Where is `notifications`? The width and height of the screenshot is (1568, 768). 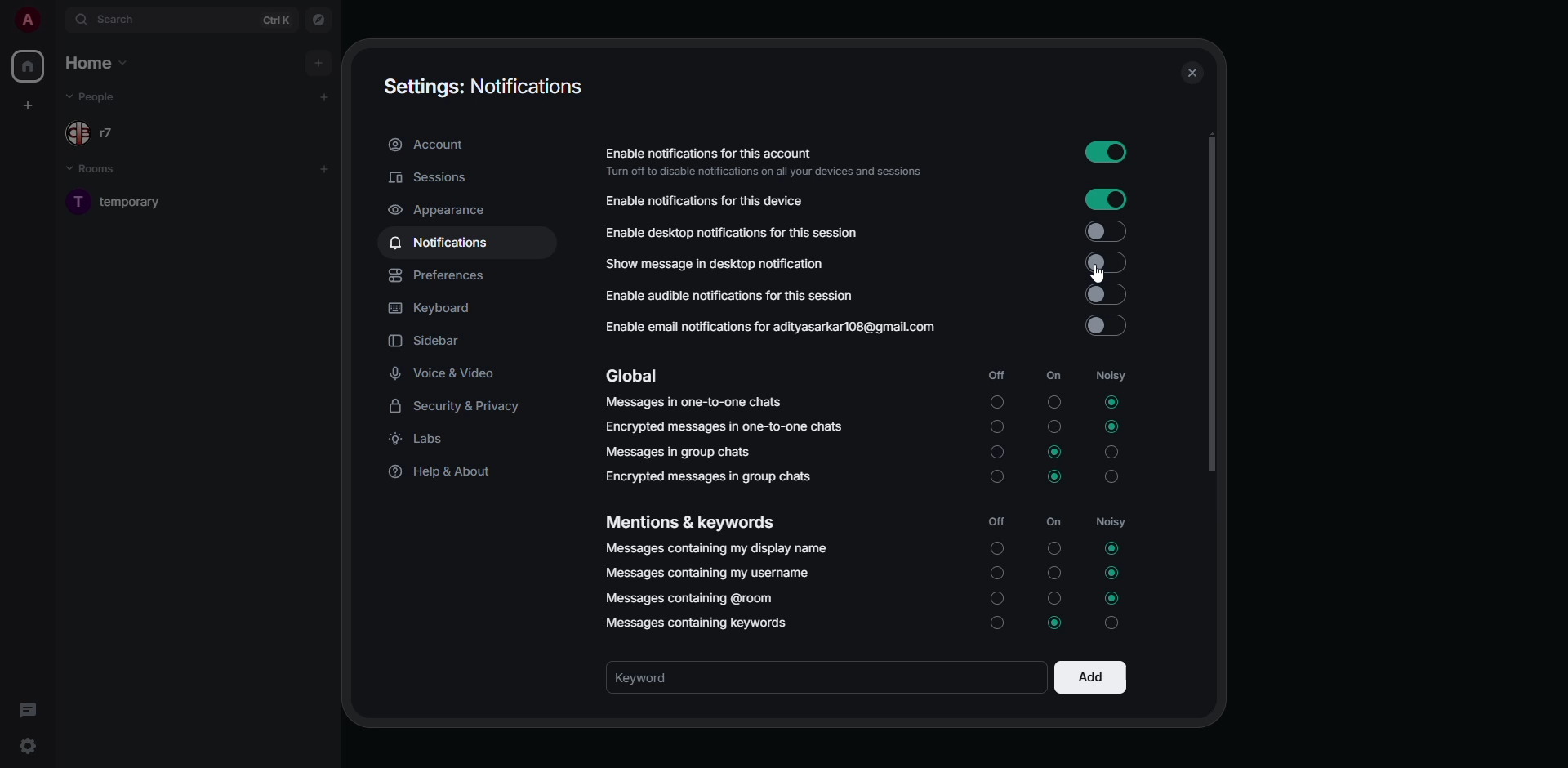 notifications is located at coordinates (443, 241).